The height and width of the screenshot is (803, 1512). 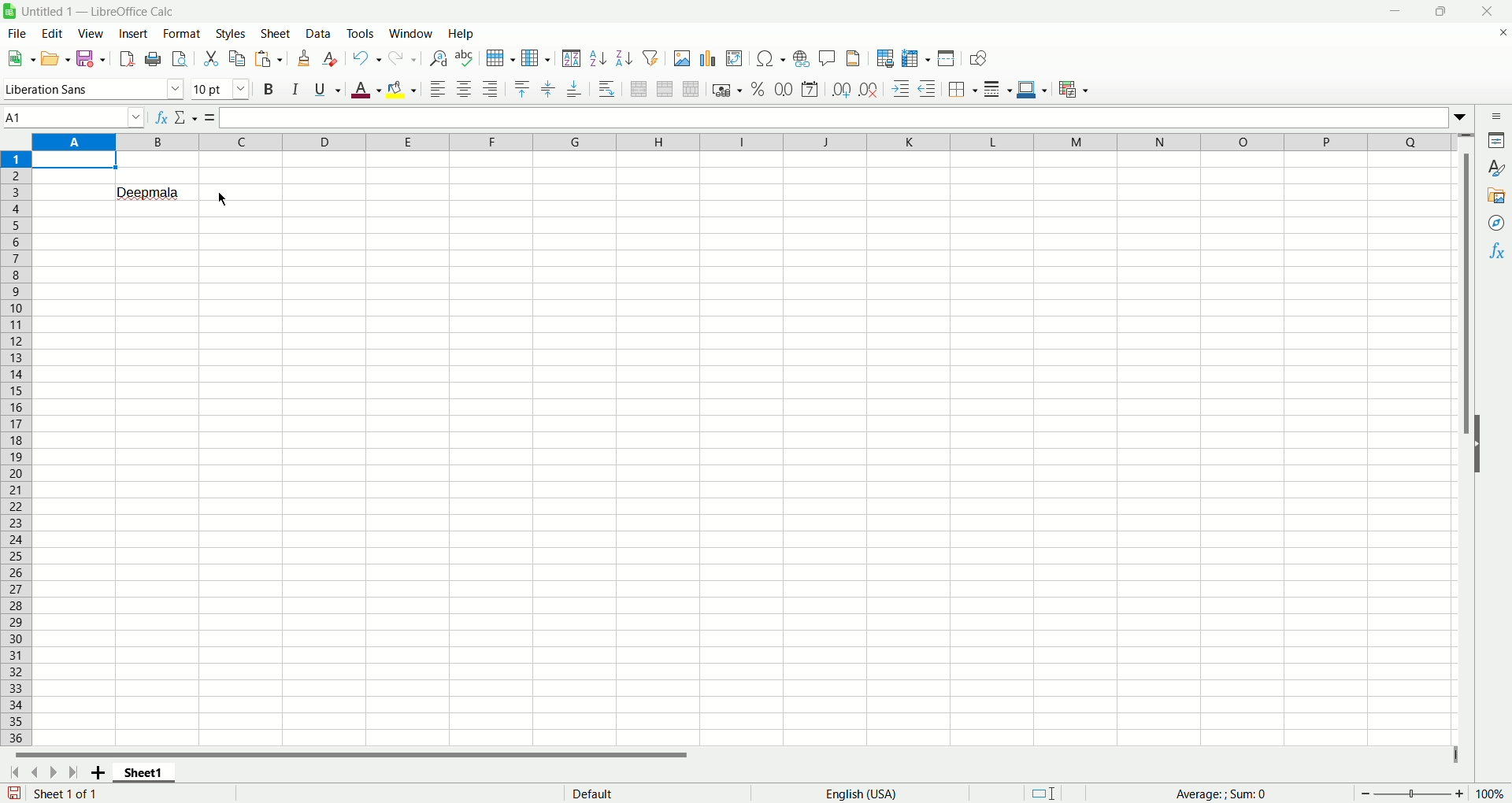 What do you see at coordinates (57, 57) in the screenshot?
I see `Open` at bounding box center [57, 57].